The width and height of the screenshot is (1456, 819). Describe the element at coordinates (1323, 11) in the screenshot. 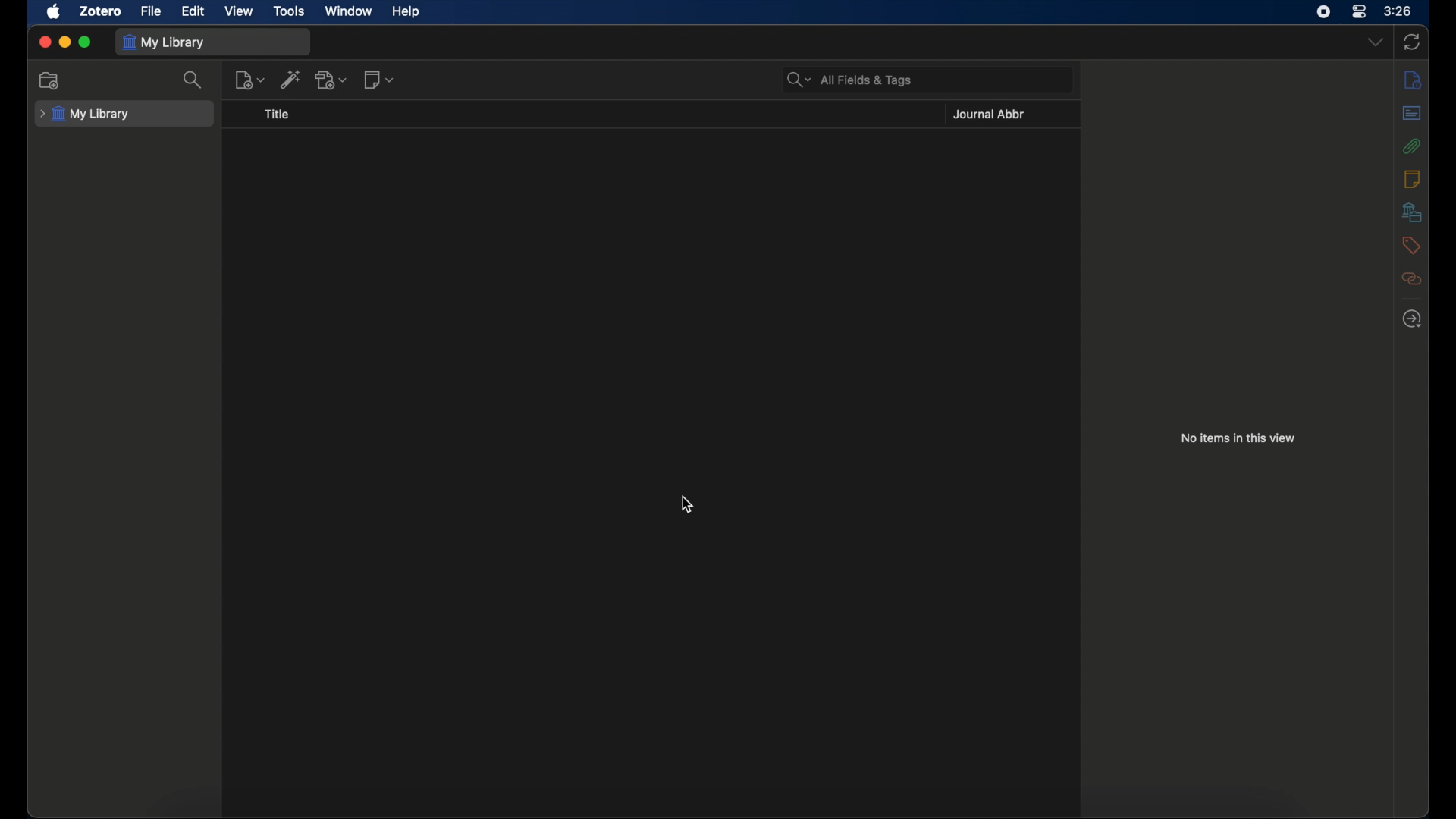

I see `screen recorder` at that location.